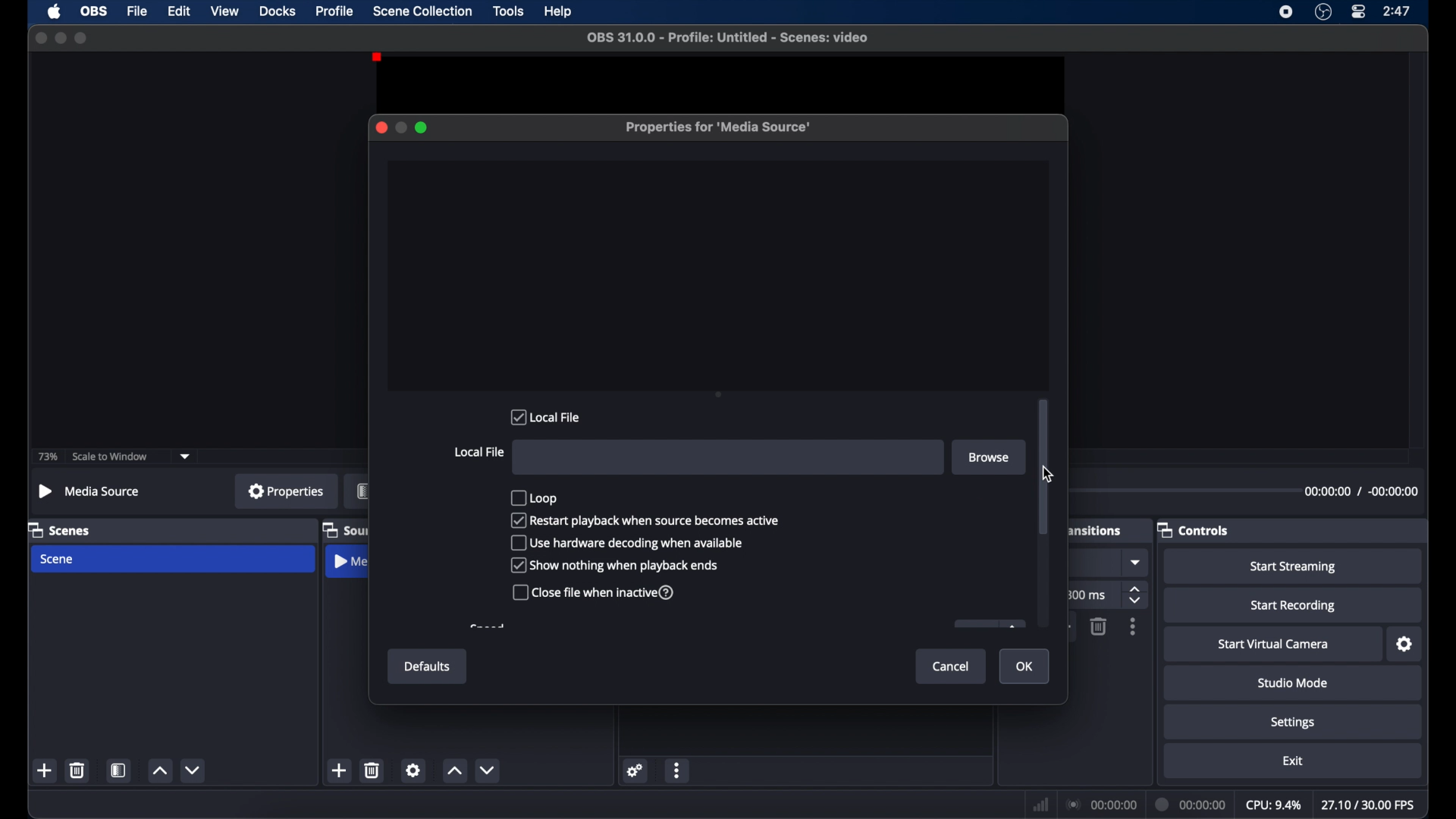 This screenshot has height=819, width=1456. What do you see at coordinates (159, 770) in the screenshot?
I see `increment button` at bounding box center [159, 770].